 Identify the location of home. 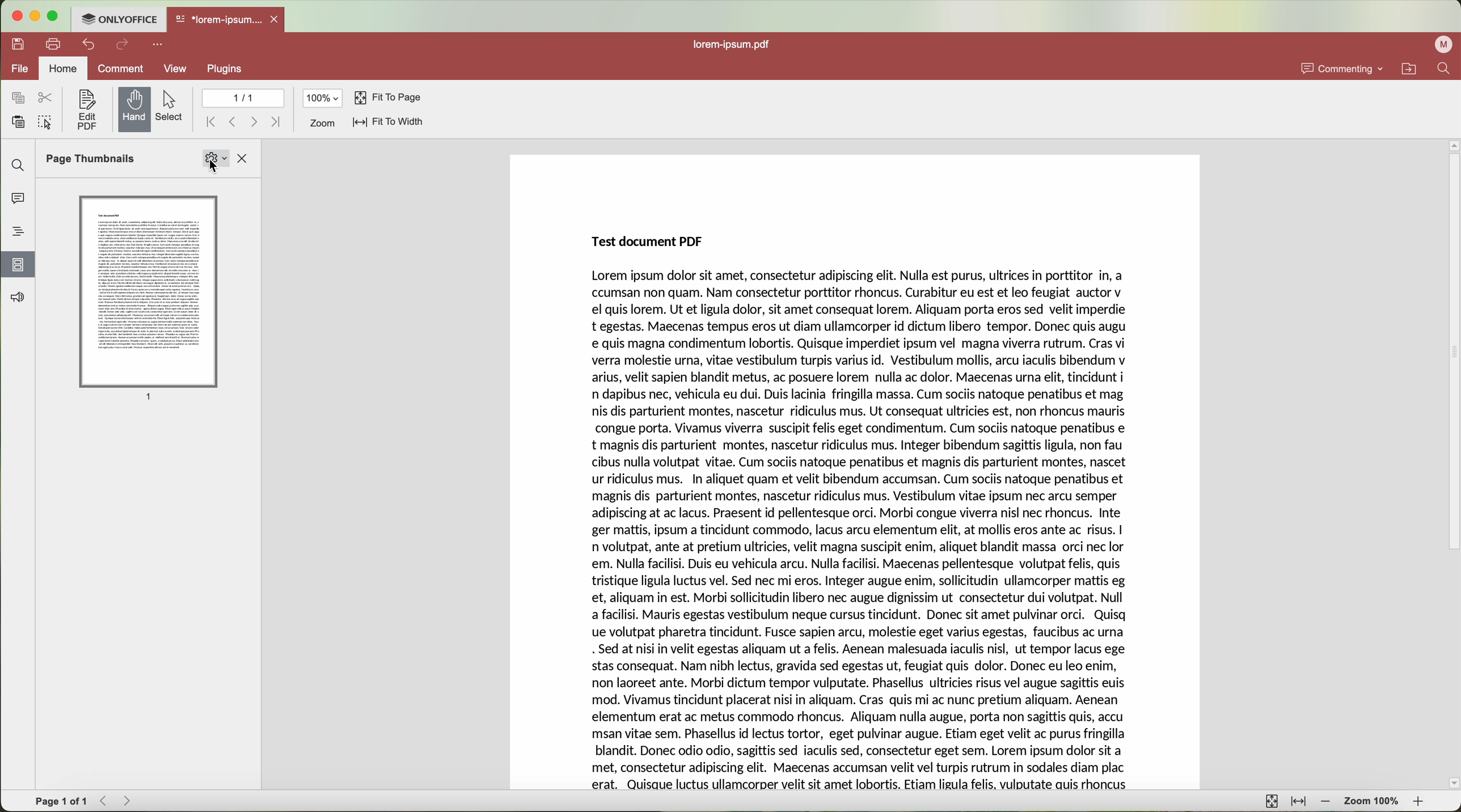
(63, 67).